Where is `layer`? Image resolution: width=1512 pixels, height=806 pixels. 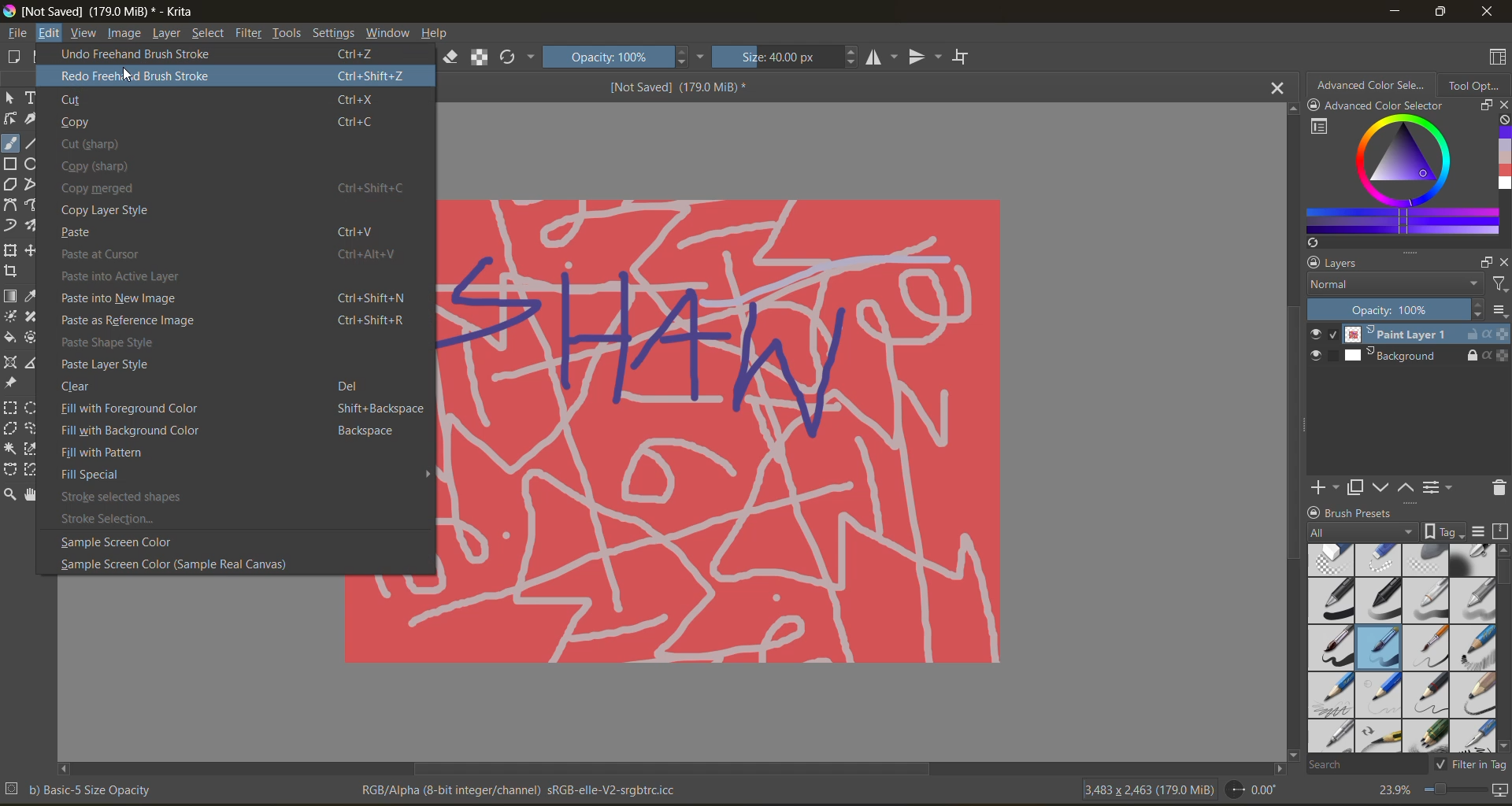 layer is located at coordinates (165, 33).